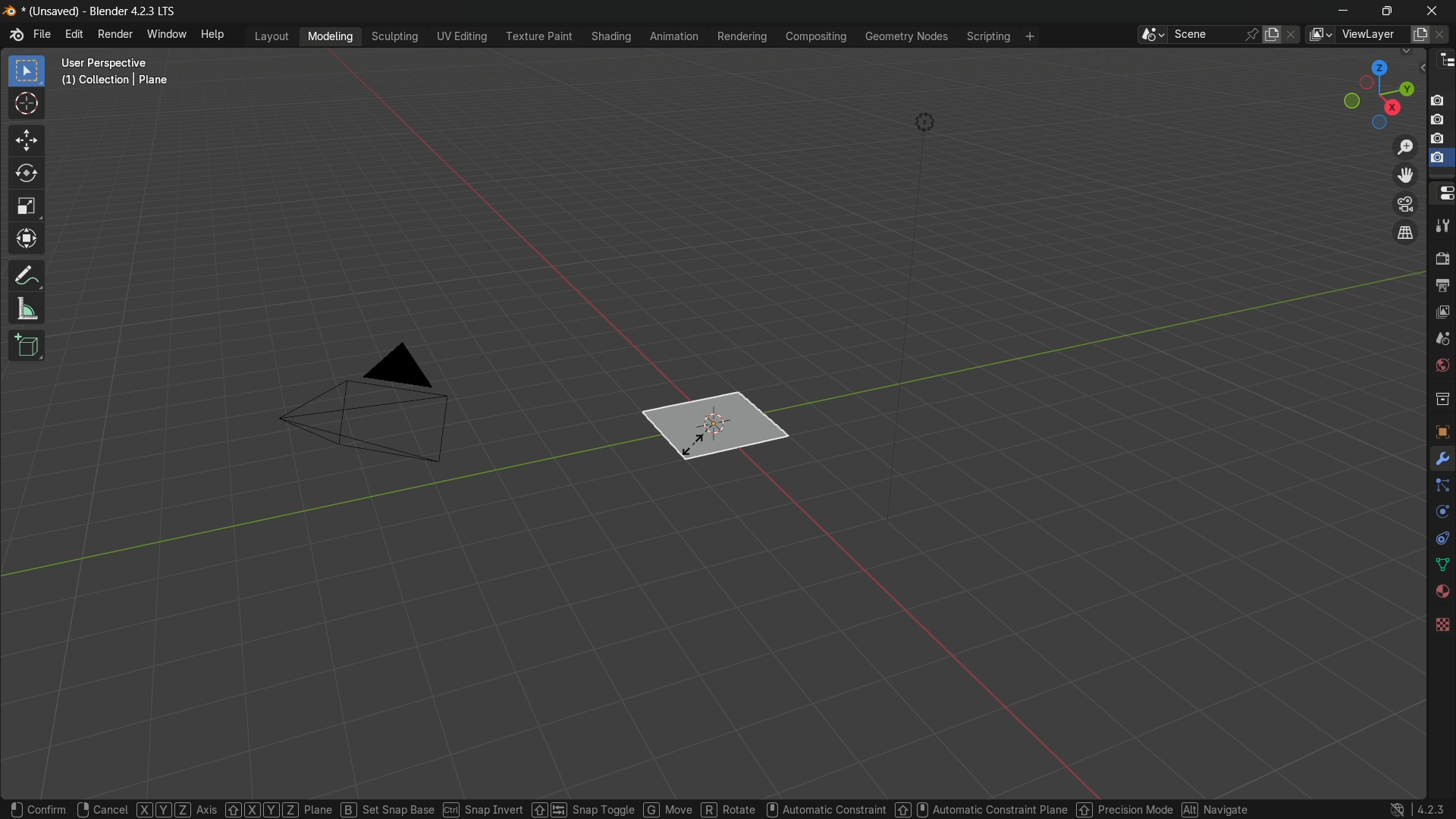 The width and height of the screenshot is (1456, 819). Describe the element at coordinates (147, 83) in the screenshot. I see `user perspective (1) collection | plane` at that location.